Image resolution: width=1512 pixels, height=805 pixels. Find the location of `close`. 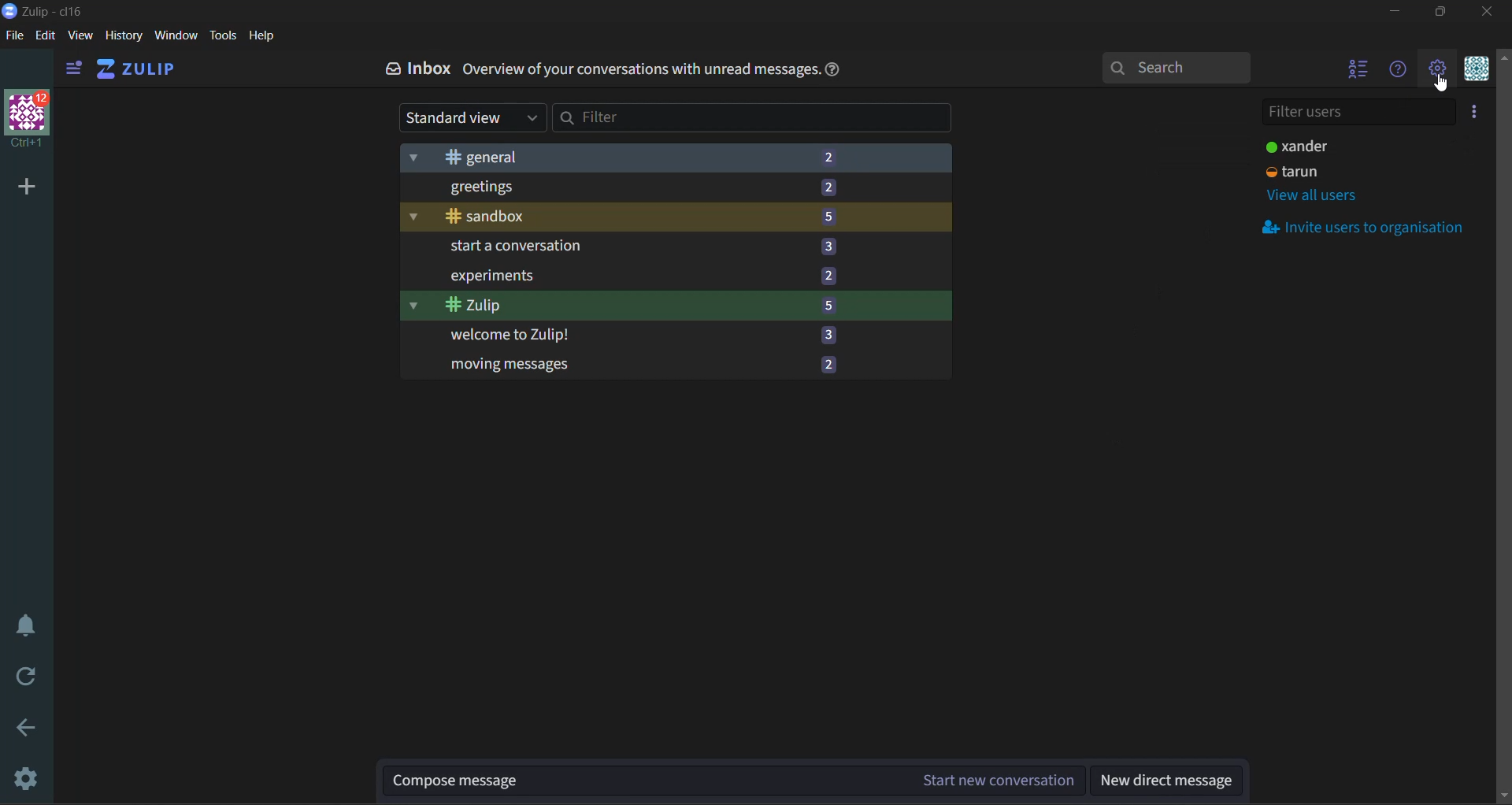

close is located at coordinates (1494, 13).